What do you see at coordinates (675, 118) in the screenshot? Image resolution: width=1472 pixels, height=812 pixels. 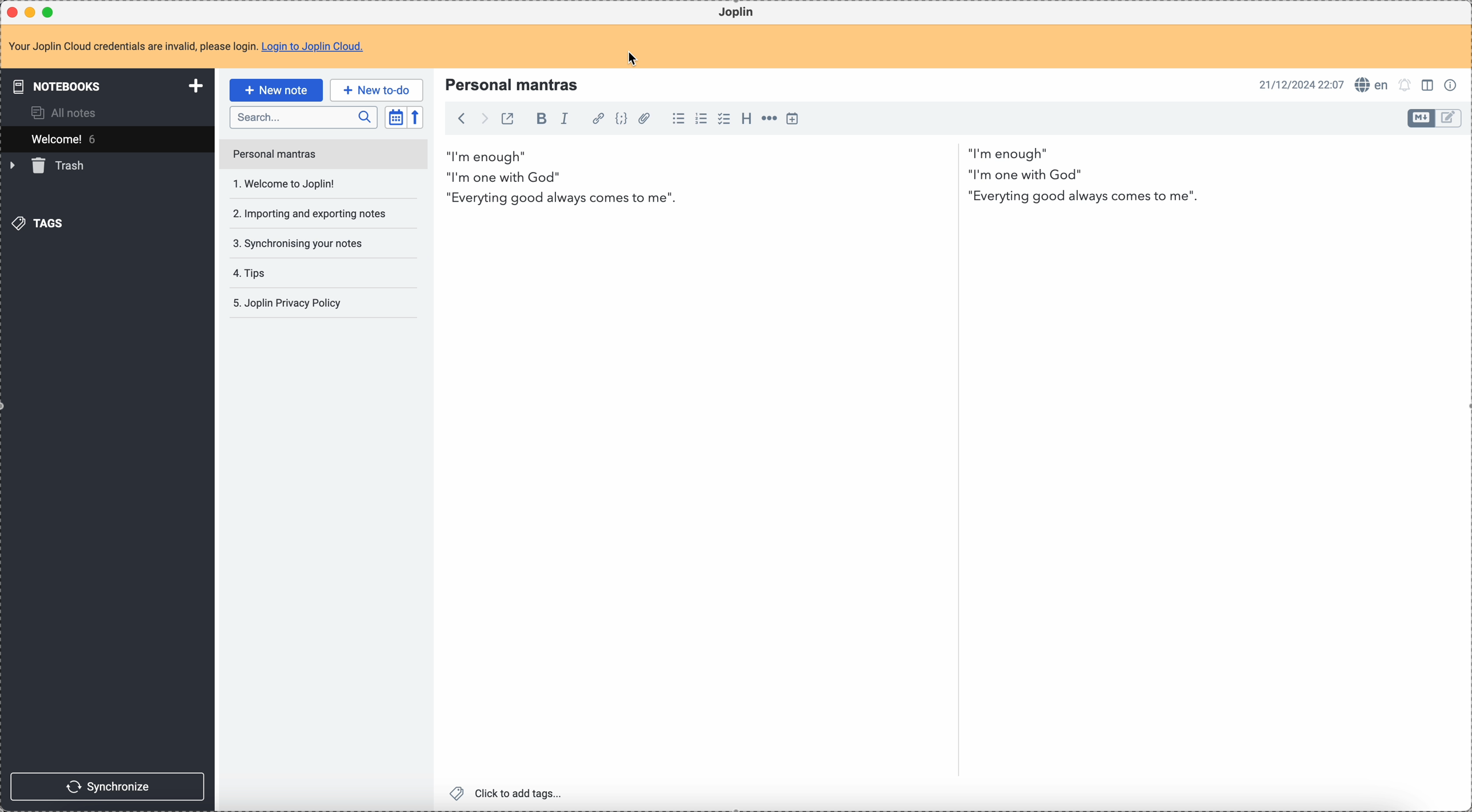 I see `bulleted list` at bounding box center [675, 118].